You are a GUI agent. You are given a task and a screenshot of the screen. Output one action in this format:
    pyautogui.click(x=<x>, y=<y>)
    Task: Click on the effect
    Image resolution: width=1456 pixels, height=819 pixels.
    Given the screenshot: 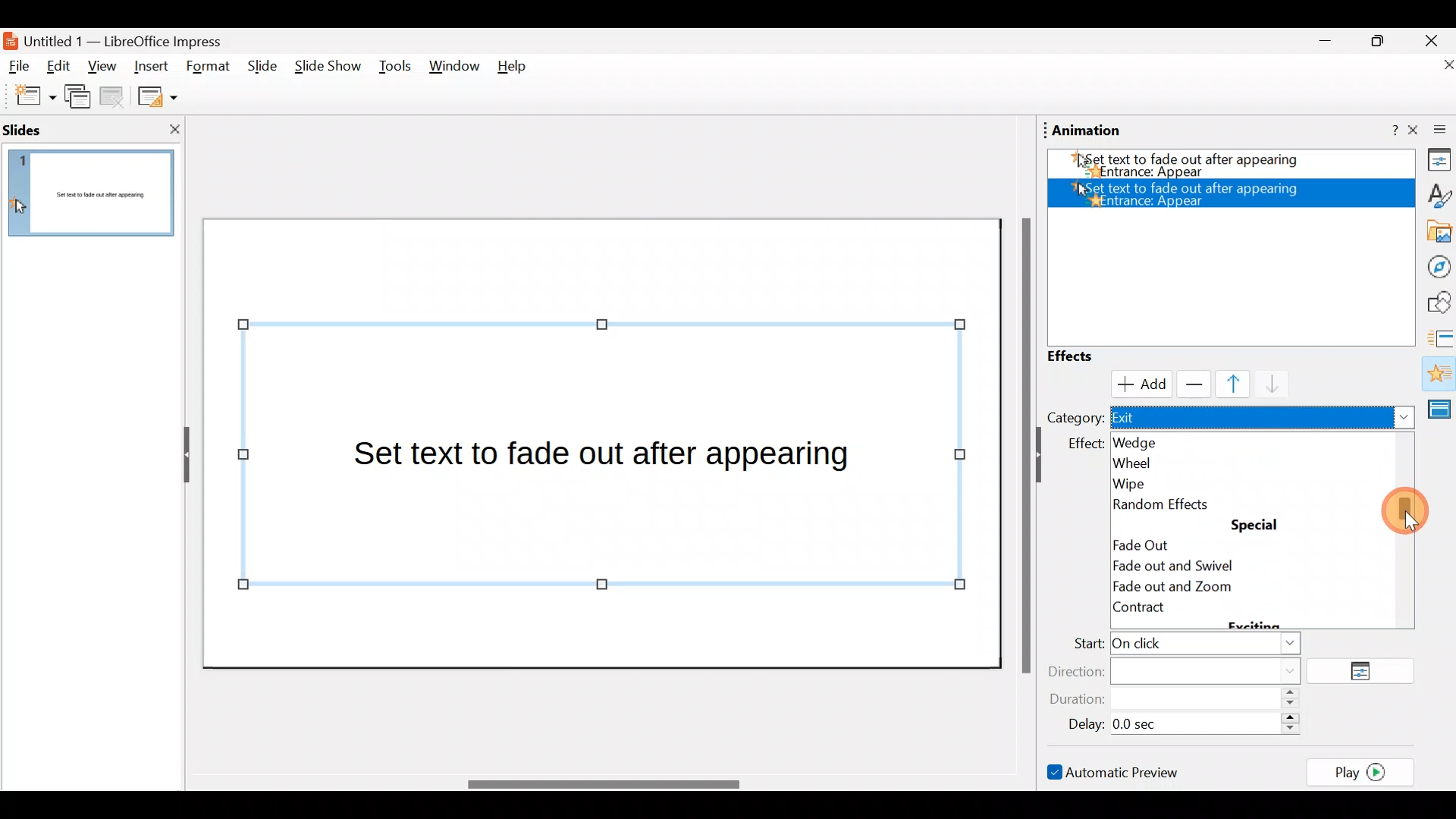 What is the action you would take?
    pyautogui.click(x=1086, y=443)
    